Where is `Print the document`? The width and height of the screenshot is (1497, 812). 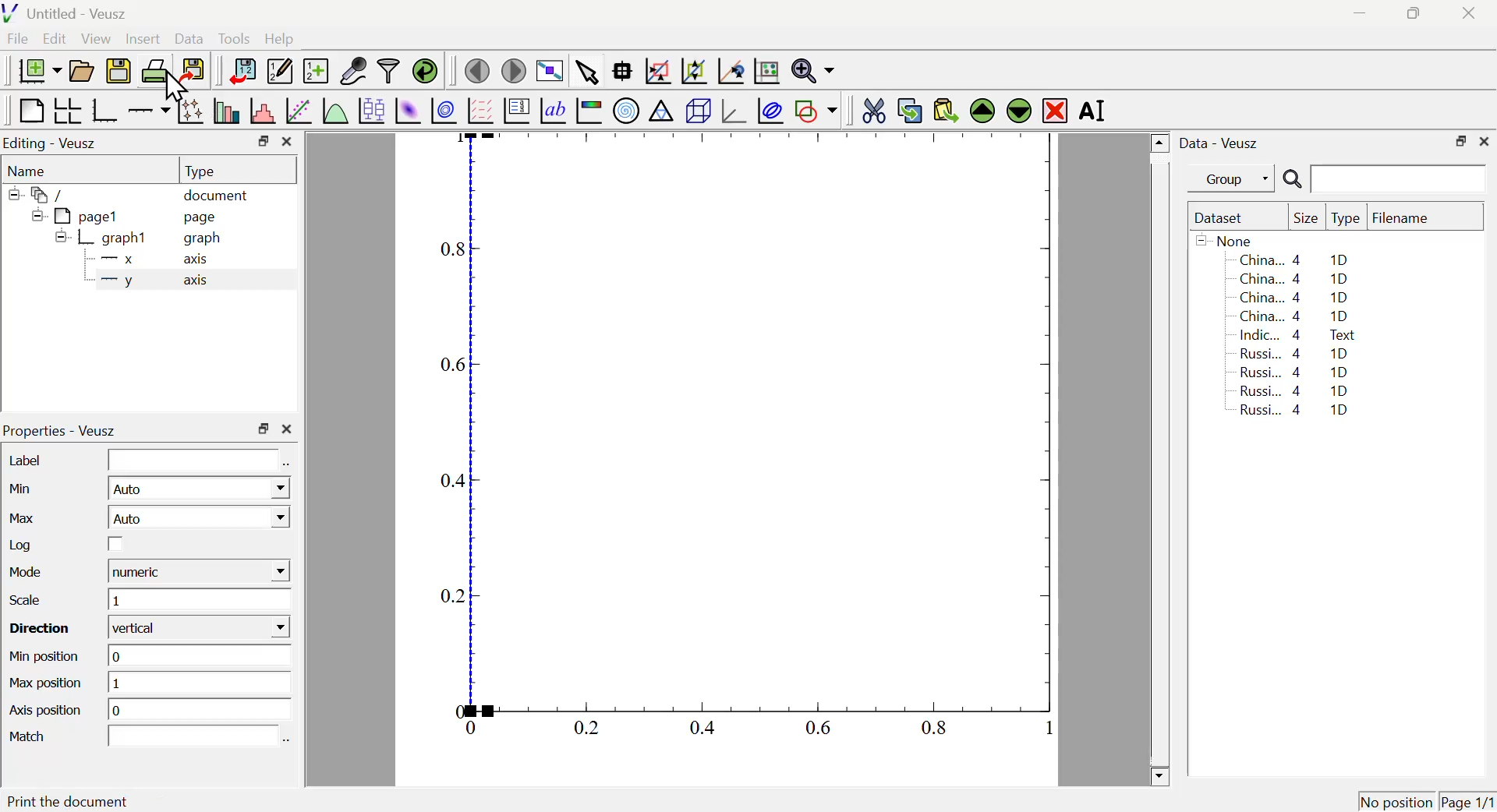 Print the document is located at coordinates (71, 801).